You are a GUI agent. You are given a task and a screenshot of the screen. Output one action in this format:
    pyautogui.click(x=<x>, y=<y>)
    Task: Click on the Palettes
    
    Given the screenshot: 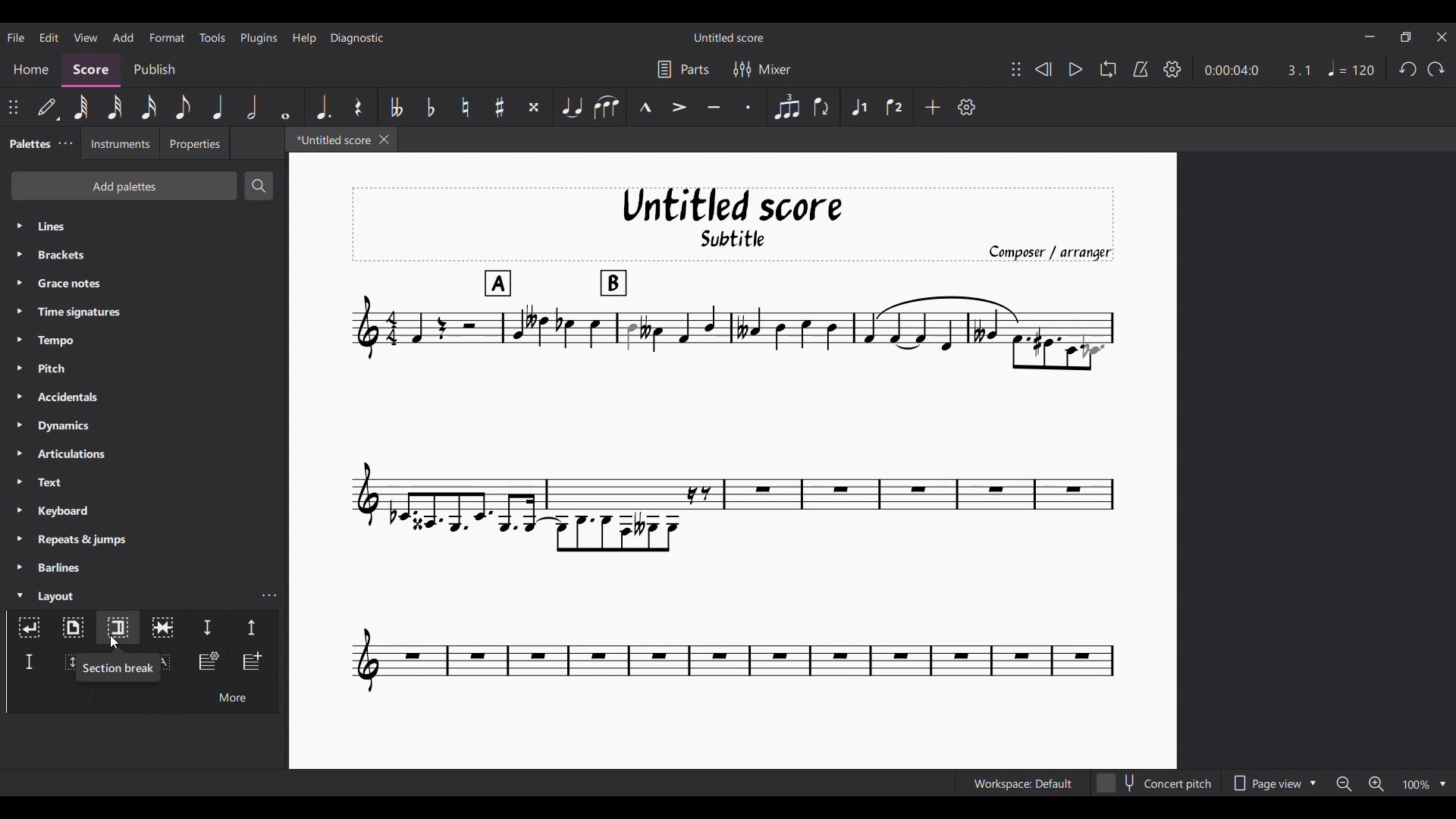 What is the action you would take?
    pyautogui.click(x=27, y=145)
    